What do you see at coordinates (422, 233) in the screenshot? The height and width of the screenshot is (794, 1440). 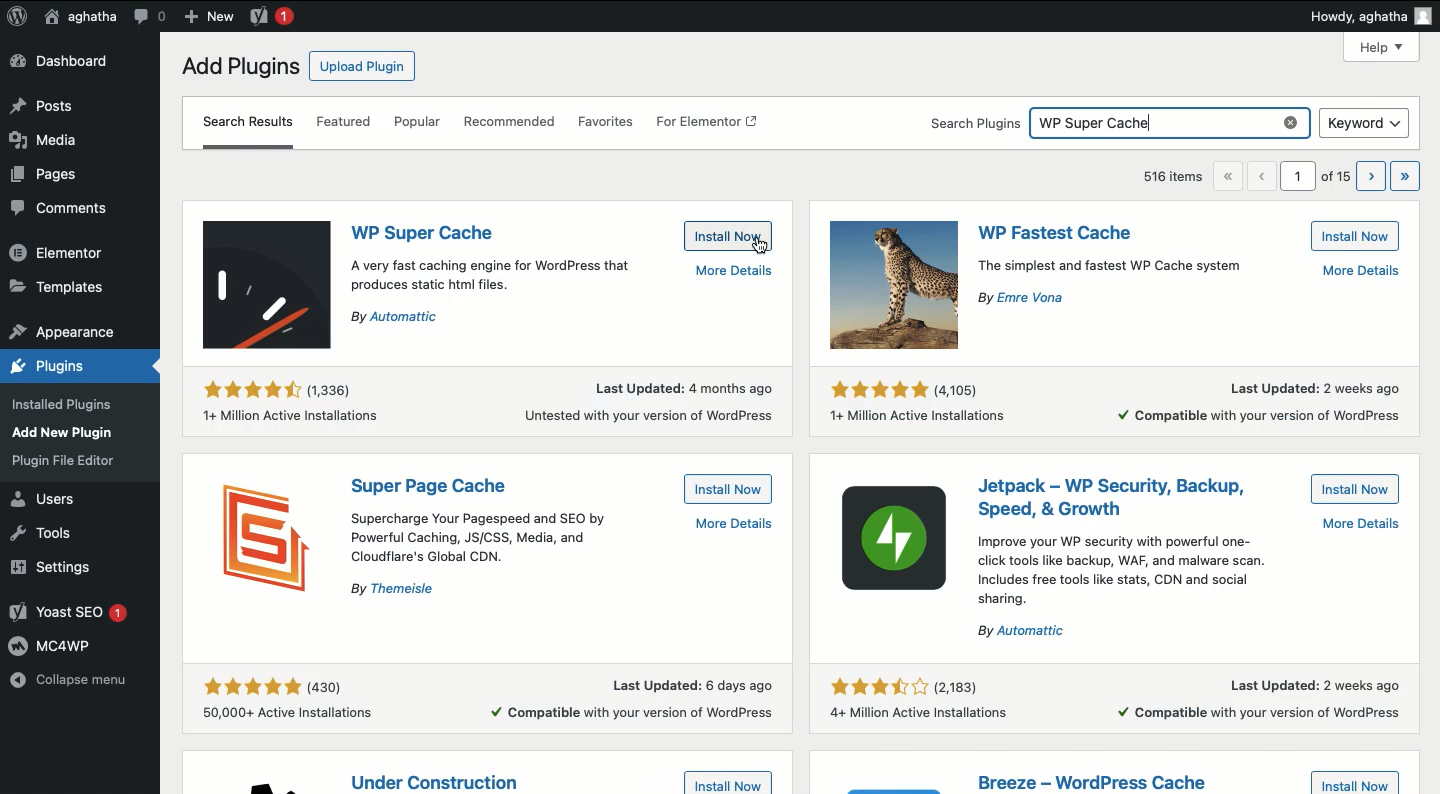 I see `Plugin` at bounding box center [422, 233].